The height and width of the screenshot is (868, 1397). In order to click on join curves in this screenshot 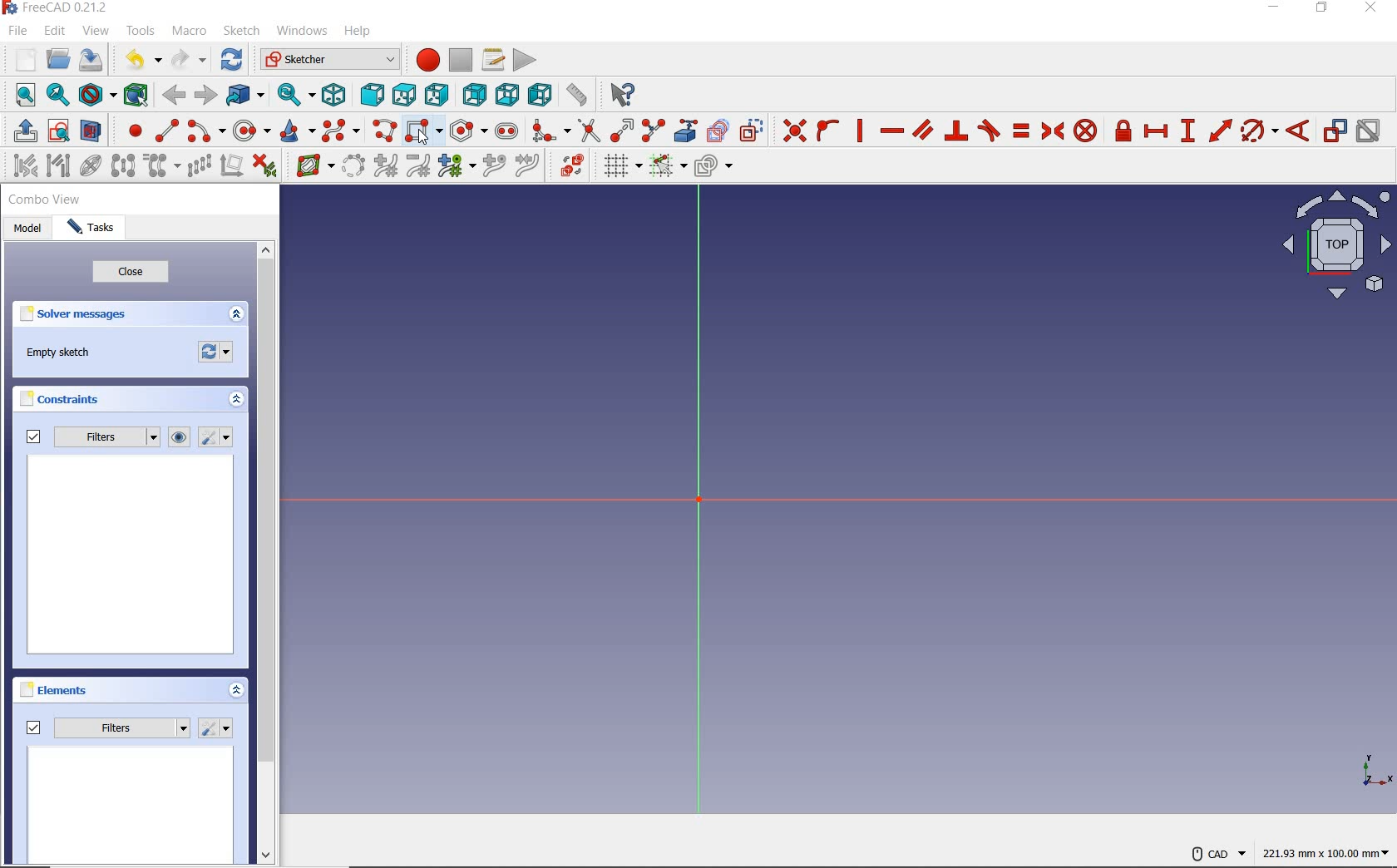, I will do `click(528, 167)`.